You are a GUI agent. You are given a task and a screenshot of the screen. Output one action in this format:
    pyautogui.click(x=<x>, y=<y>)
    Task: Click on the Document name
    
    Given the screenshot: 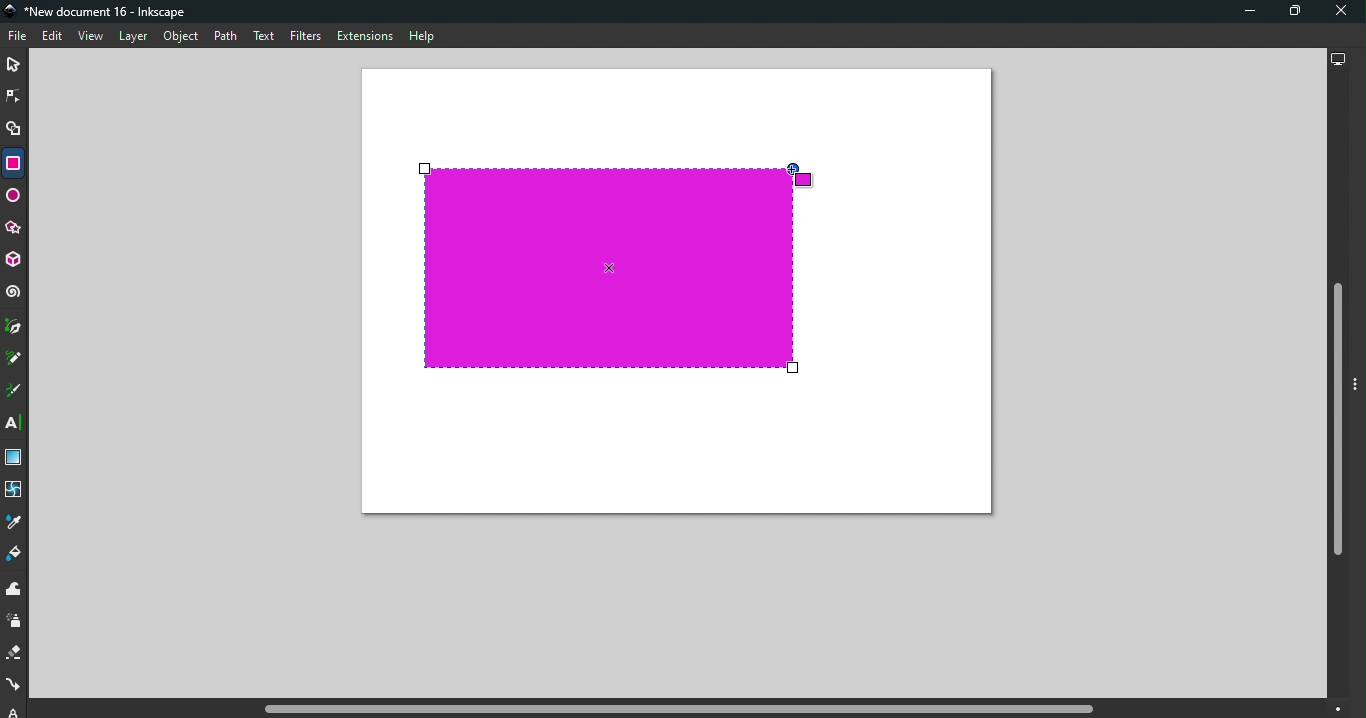 What is the action you would take?
    pyautogui.click(x=100, y=12)
    